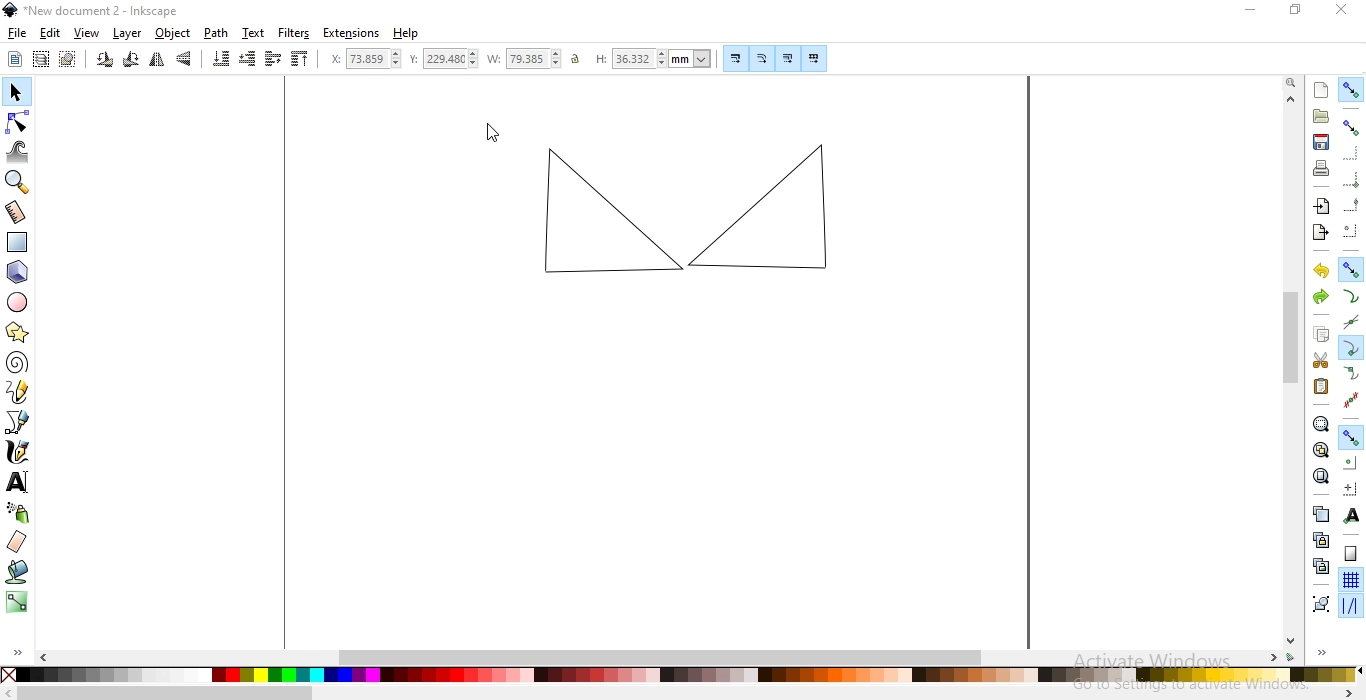 The image size is (1366, 700). Describe the element at coordinates (254, 33) in the screenshot. I see `text` at that location.